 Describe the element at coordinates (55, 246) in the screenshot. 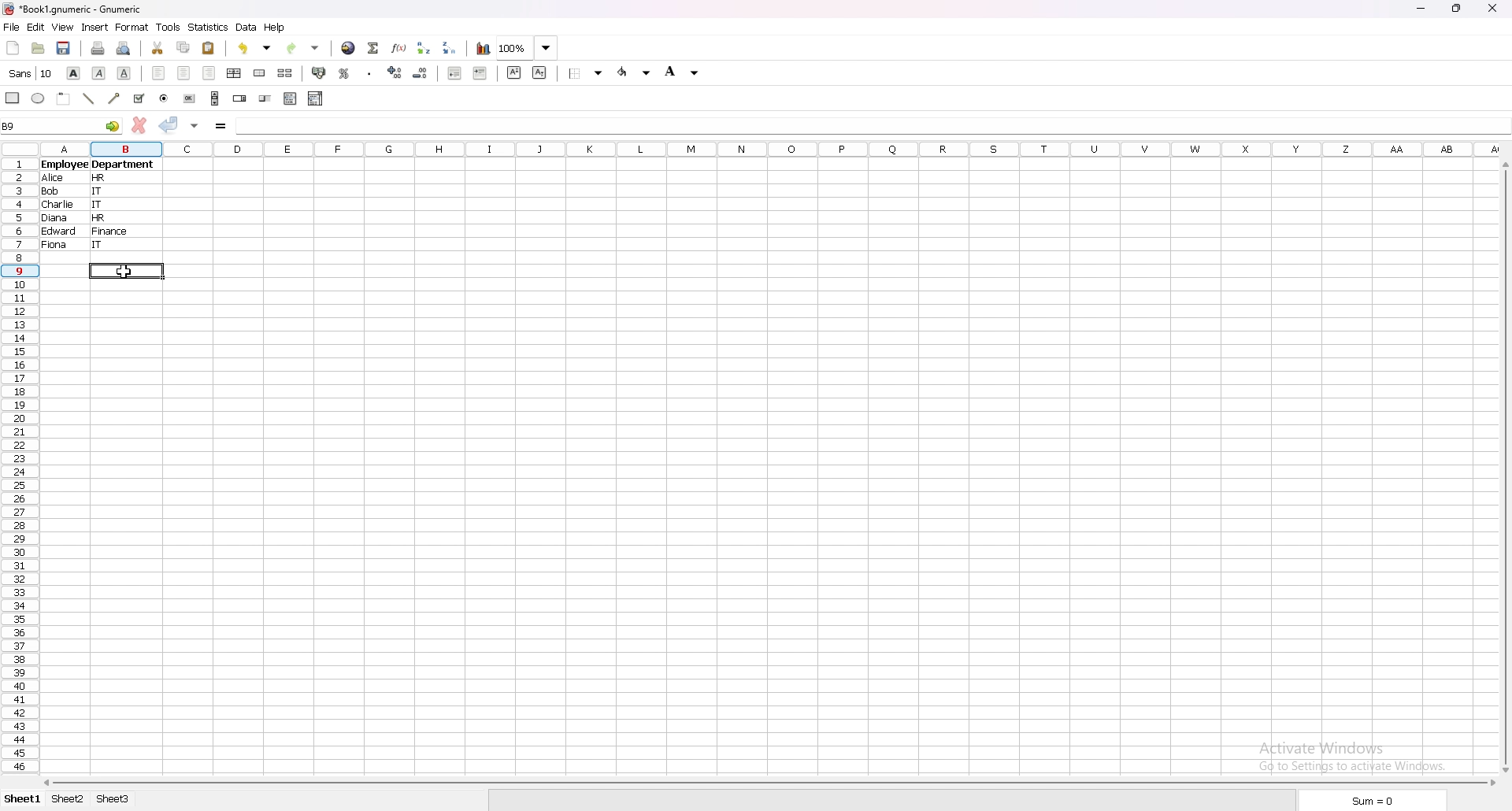

I see `fiona` at that location.